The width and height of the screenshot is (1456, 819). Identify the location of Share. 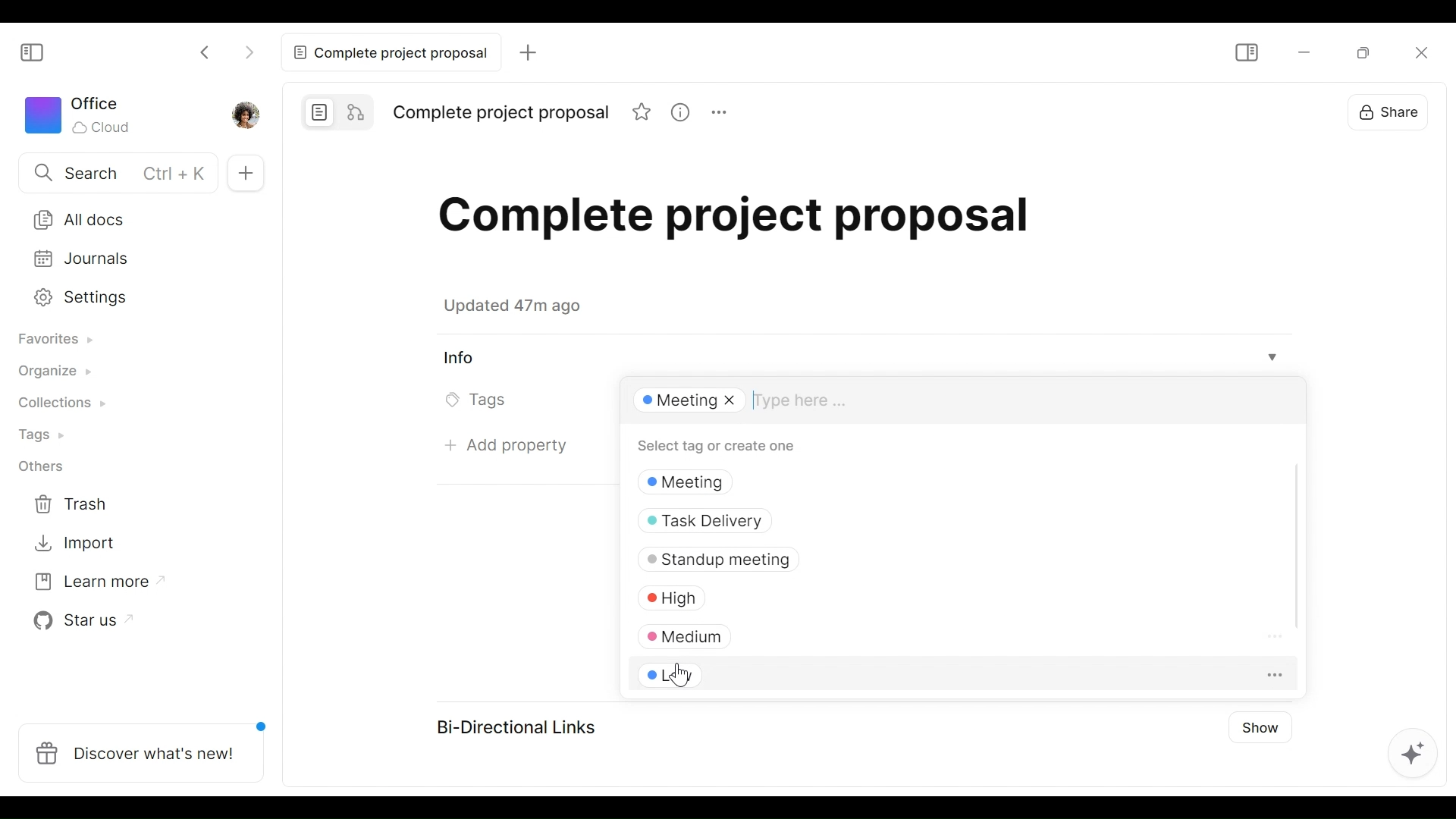
(1391, 111).